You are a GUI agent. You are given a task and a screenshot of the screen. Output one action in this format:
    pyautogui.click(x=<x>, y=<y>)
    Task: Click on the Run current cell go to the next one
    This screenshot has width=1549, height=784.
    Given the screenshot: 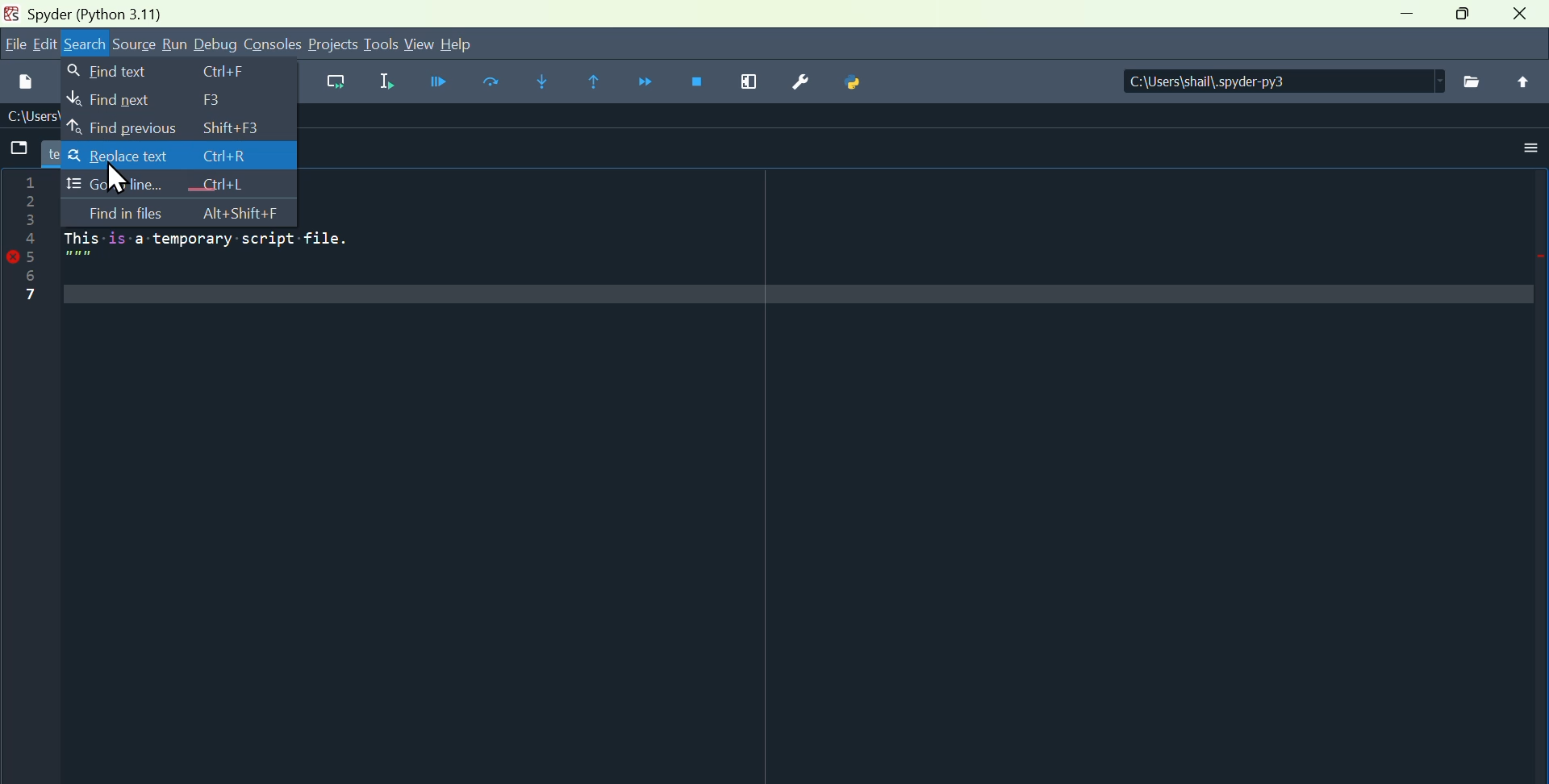 What is the action you would take?
    pyautogui.click(x=332, y=81)
    